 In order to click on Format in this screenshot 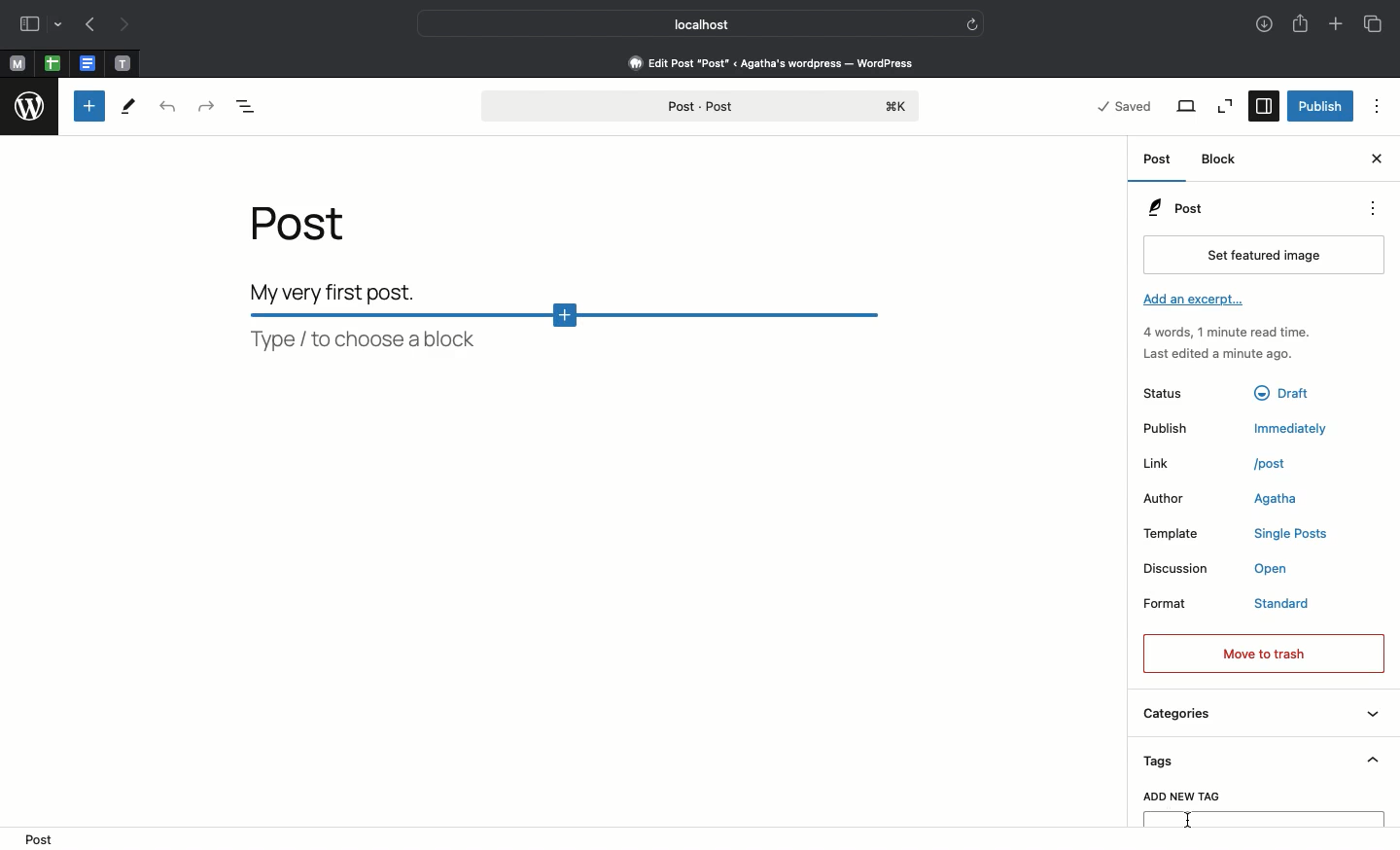, I will do `click(1173, 605)`.